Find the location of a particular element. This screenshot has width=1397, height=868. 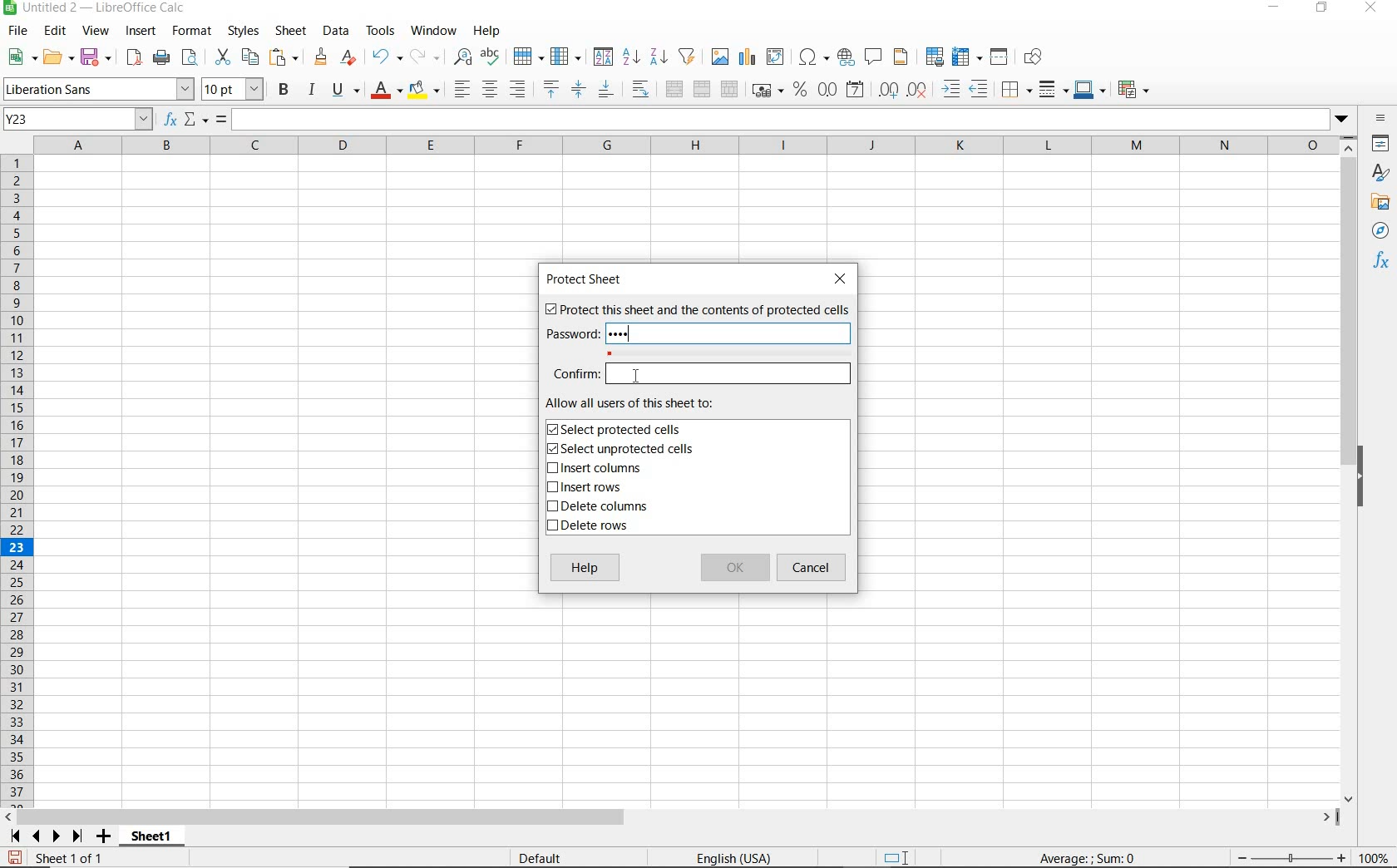

CUT is located at coordinates (221, 56).